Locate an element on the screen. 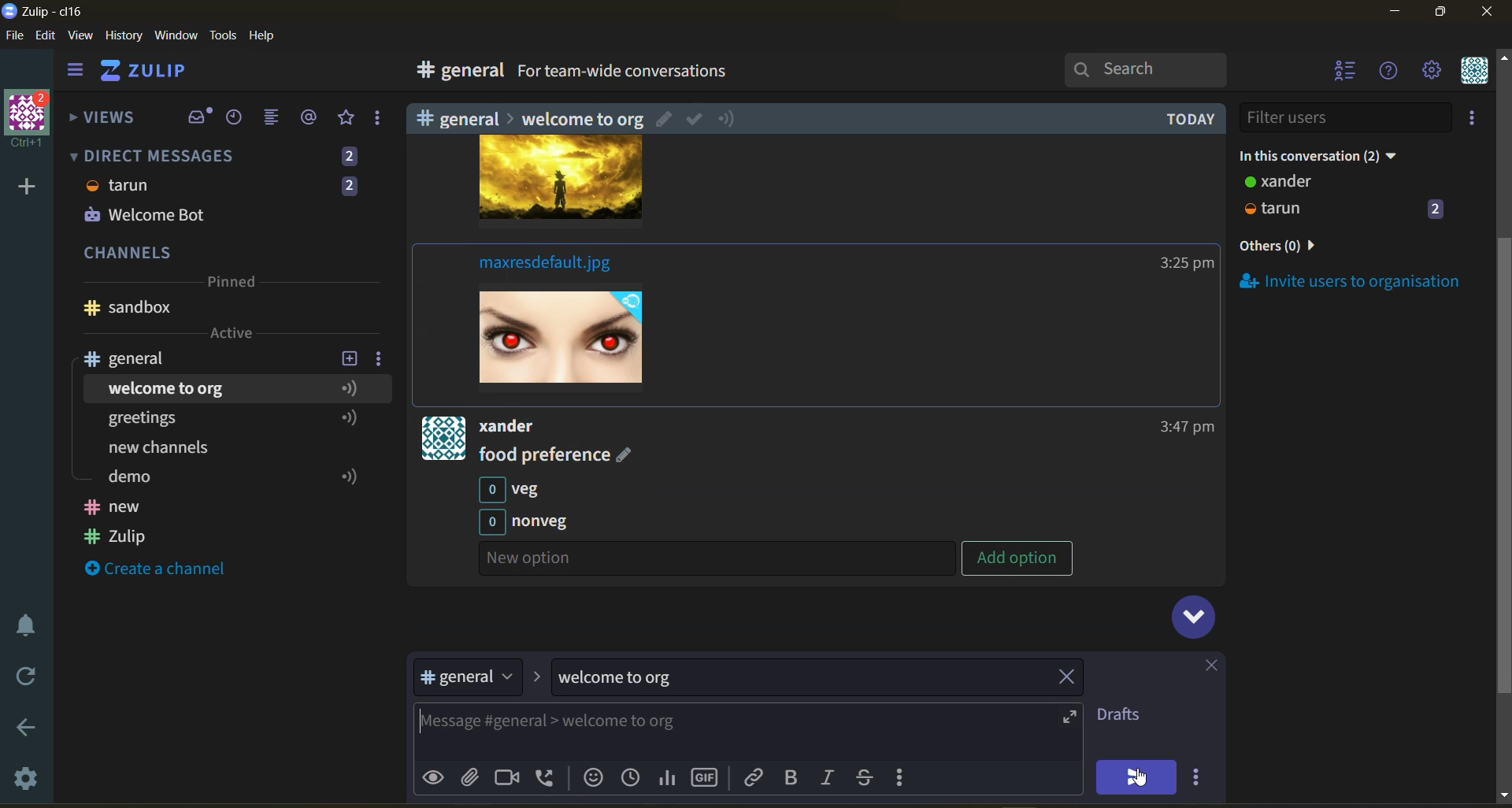 This screenshot has width=1512, height=808. direct messages is located at coordinates (228, 188).